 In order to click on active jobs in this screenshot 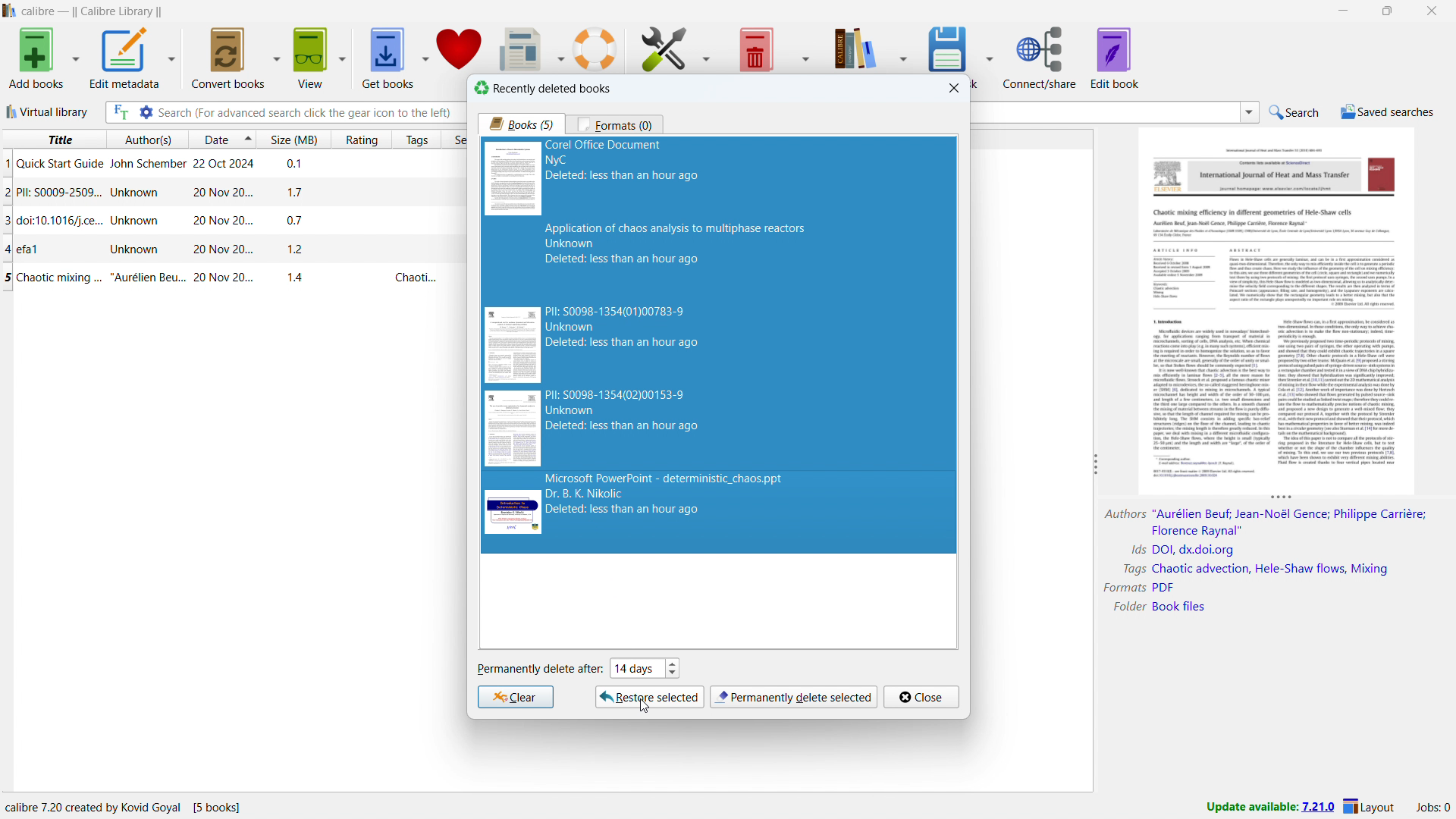, I will do `click(1432, 808)`.